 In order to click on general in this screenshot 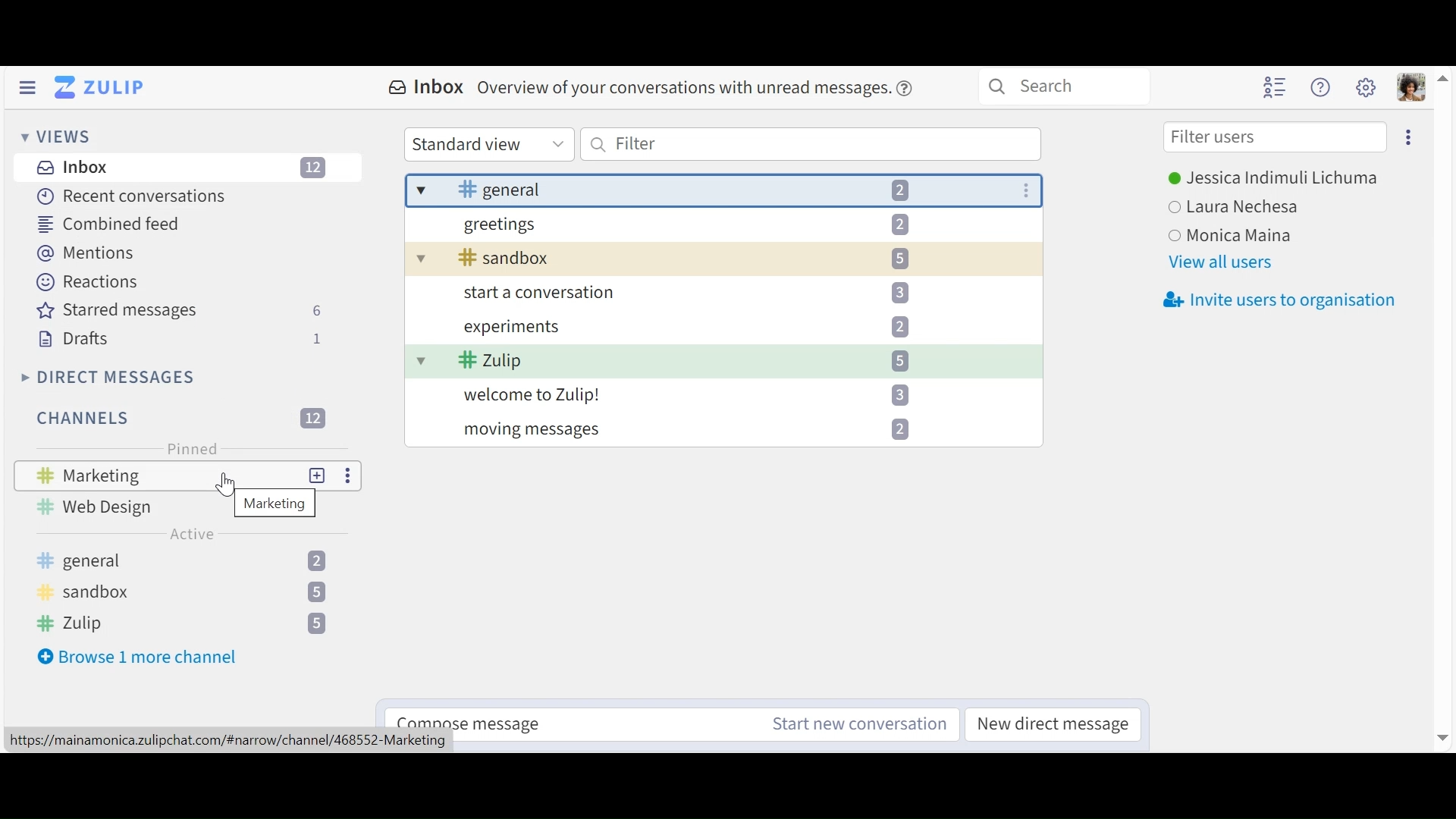, I will do `click(721, 192)`.